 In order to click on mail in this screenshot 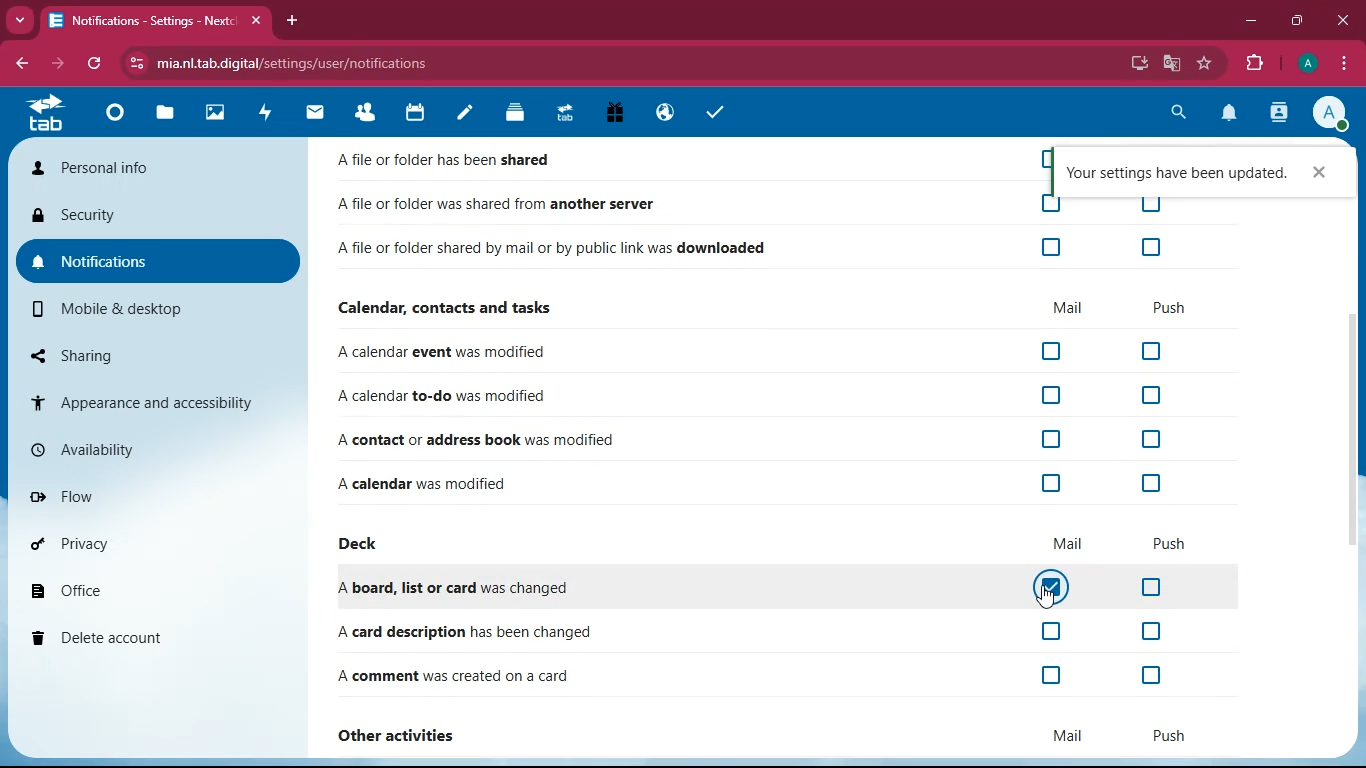, I will do `click(316, 114)`.